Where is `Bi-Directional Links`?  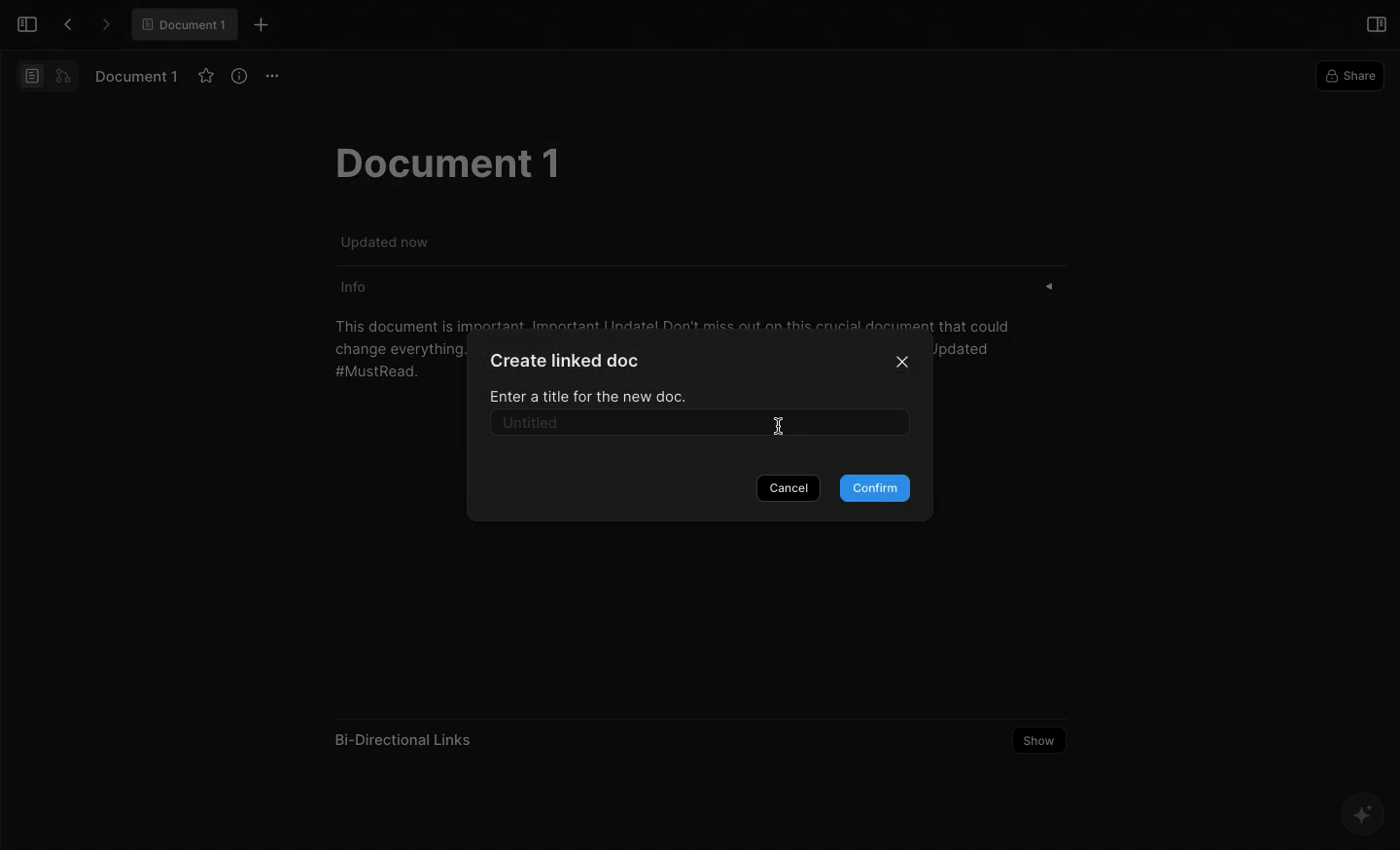
Bi-Directional Links is located at coordinates (405, 739).